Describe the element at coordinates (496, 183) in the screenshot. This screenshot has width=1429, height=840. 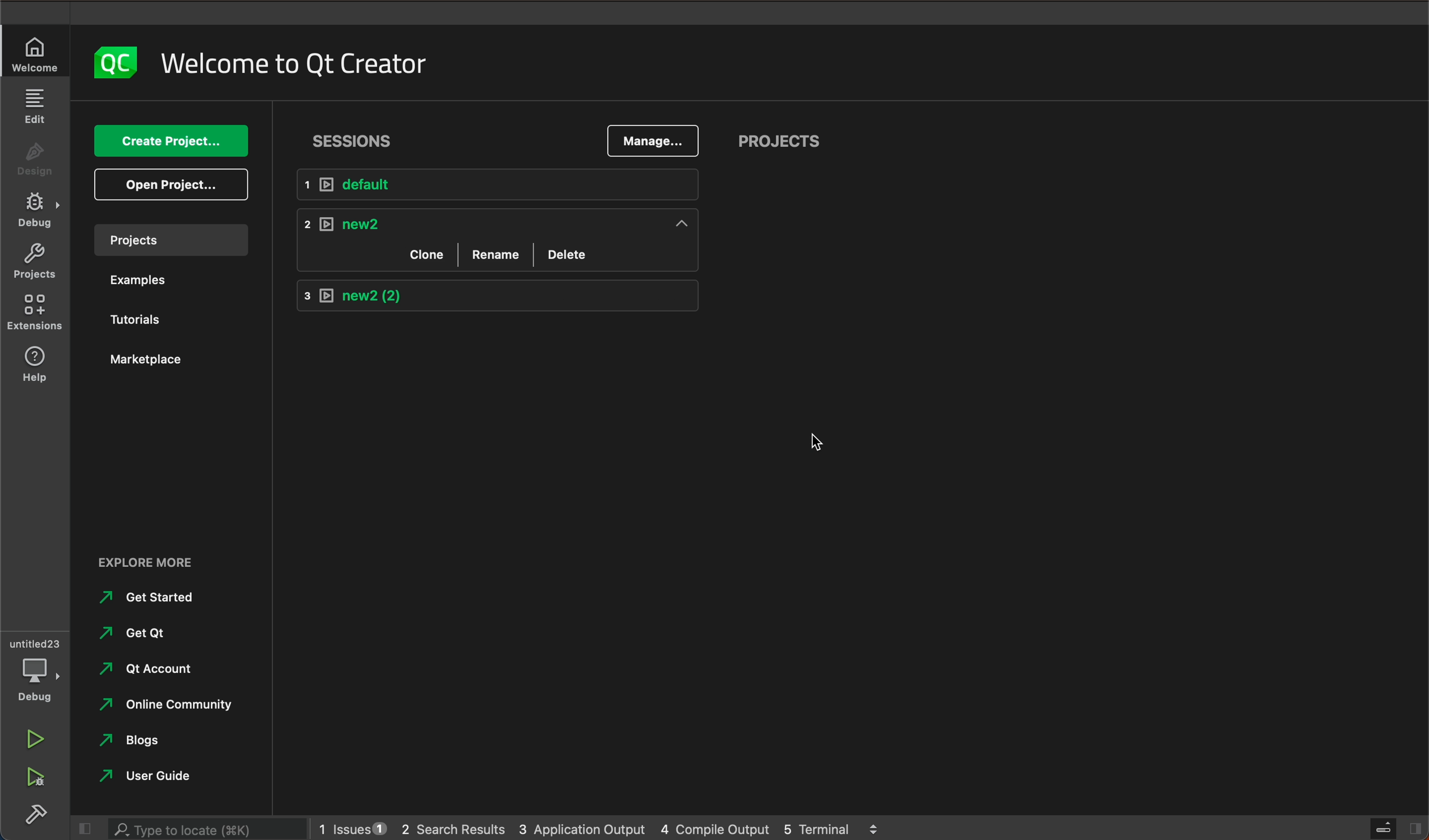
I see `default` at that location.